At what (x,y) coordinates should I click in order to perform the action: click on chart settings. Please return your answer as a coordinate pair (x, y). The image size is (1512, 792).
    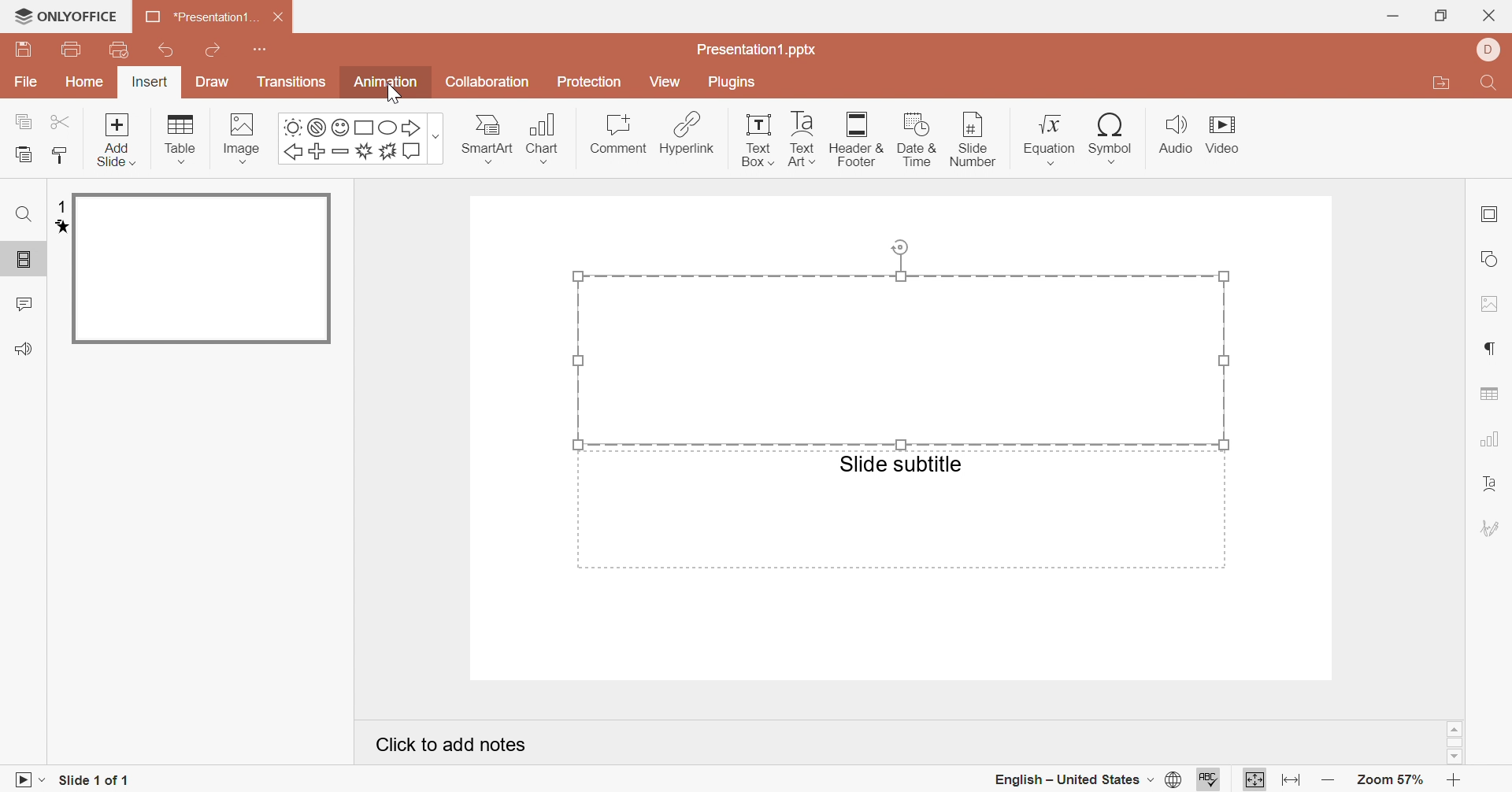
    Looking at the image, I should click on (1491, 438).